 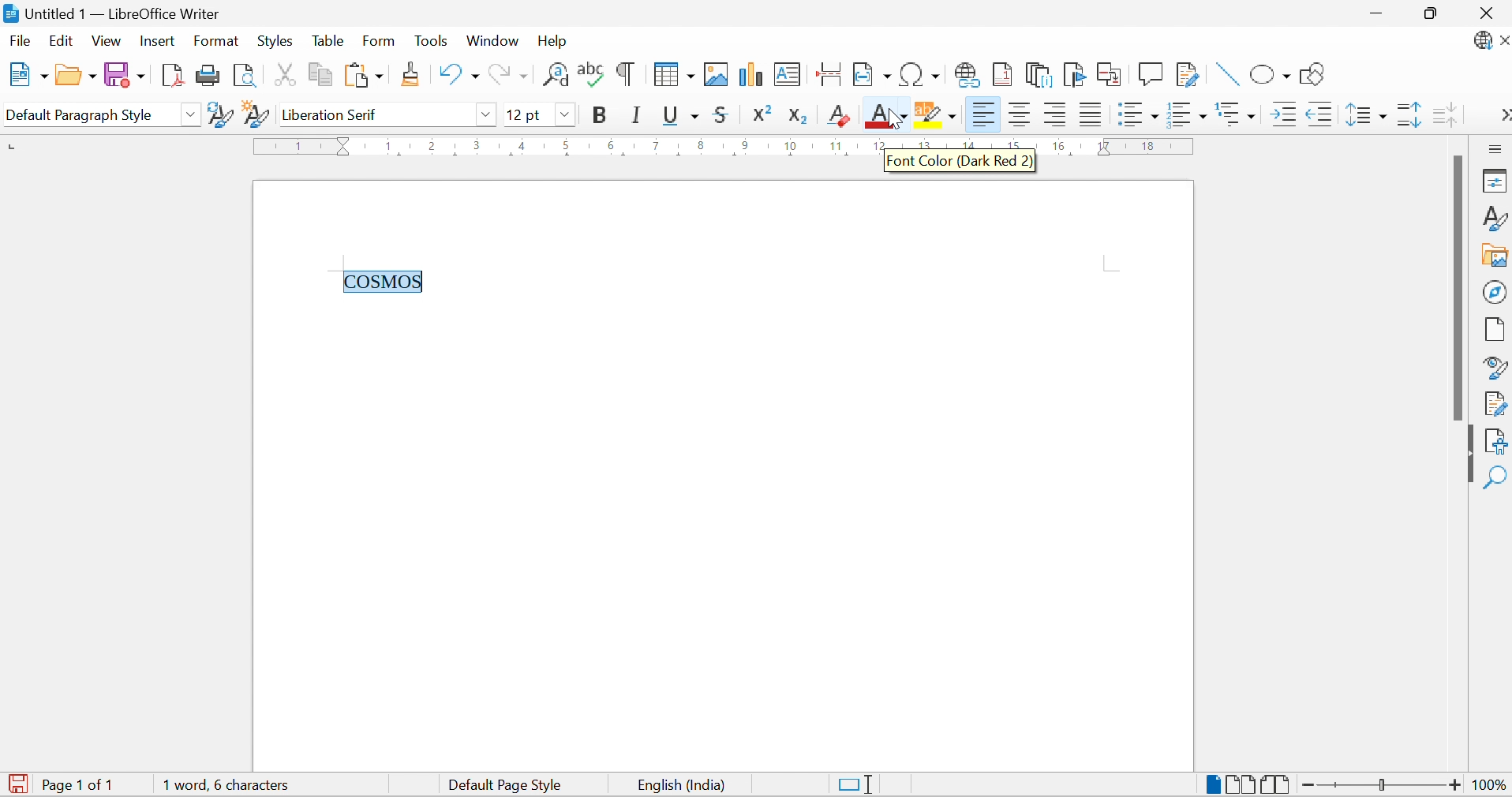 I want to click on New, so click(x=25, y=73).